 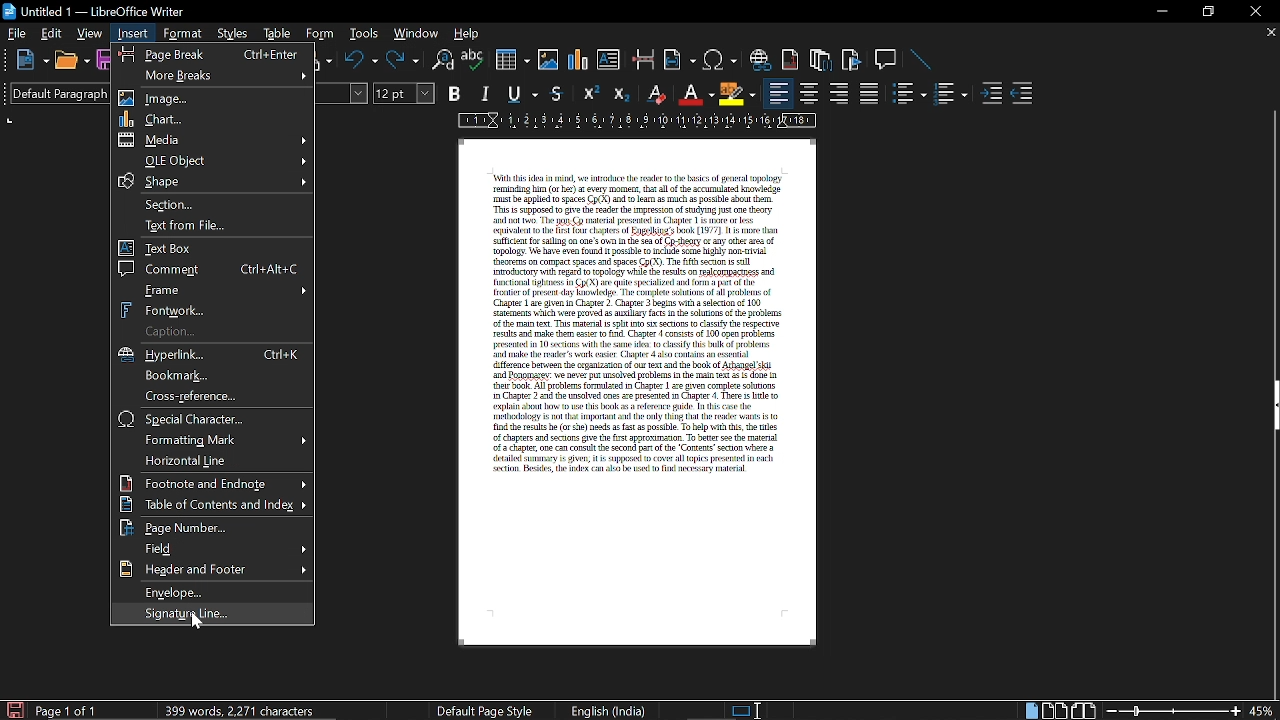 What do you see at coordinates (240, 709) in the screenshot?
I see `word and character count: 399 words. 2.271 characters` at bounding box center [240, 709].